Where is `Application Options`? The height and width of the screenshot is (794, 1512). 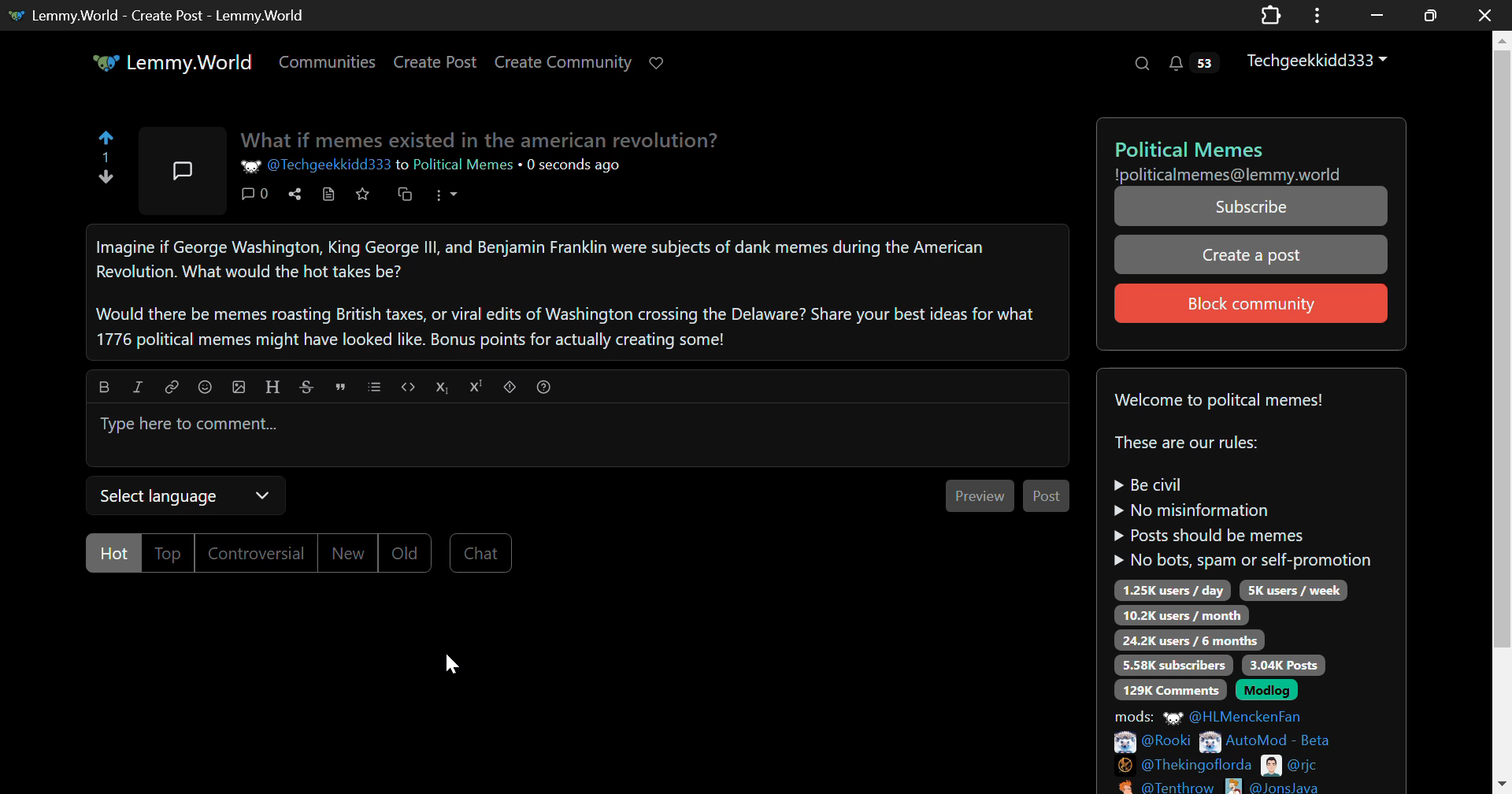
Application Options is located at coordinates (1317, 14).